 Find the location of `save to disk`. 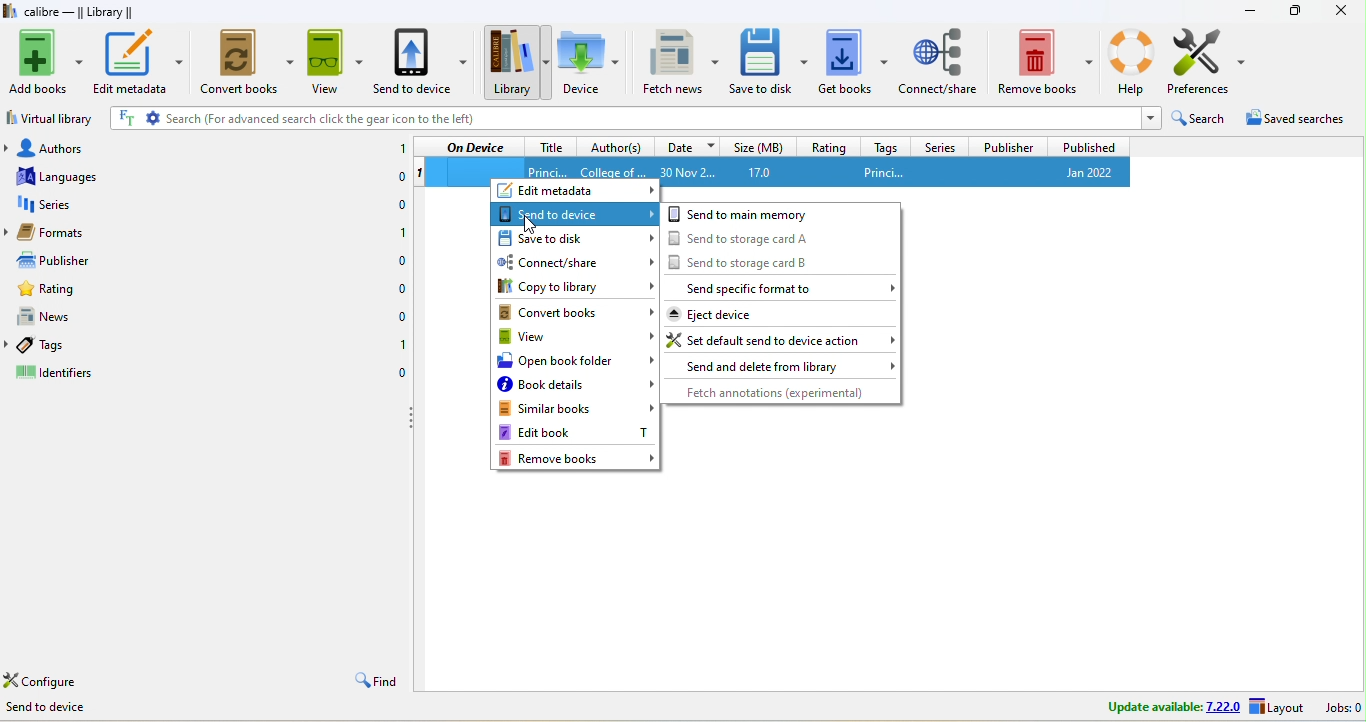

save to disk is located at coordinates (769, 60).